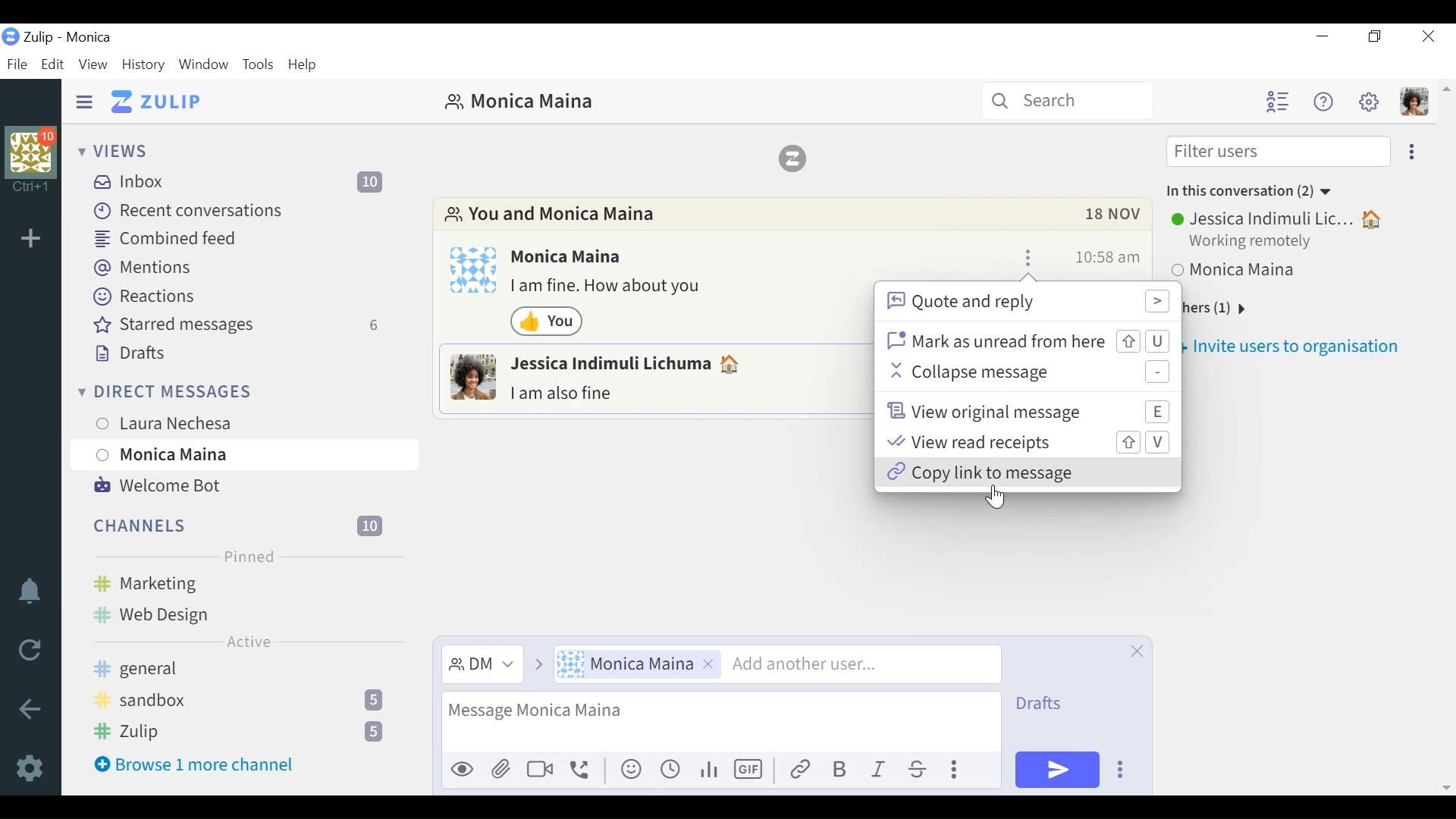  Describe the element at coordinates (1301, 347) in the screenshot. I see `Invite users to organisation` at that location.